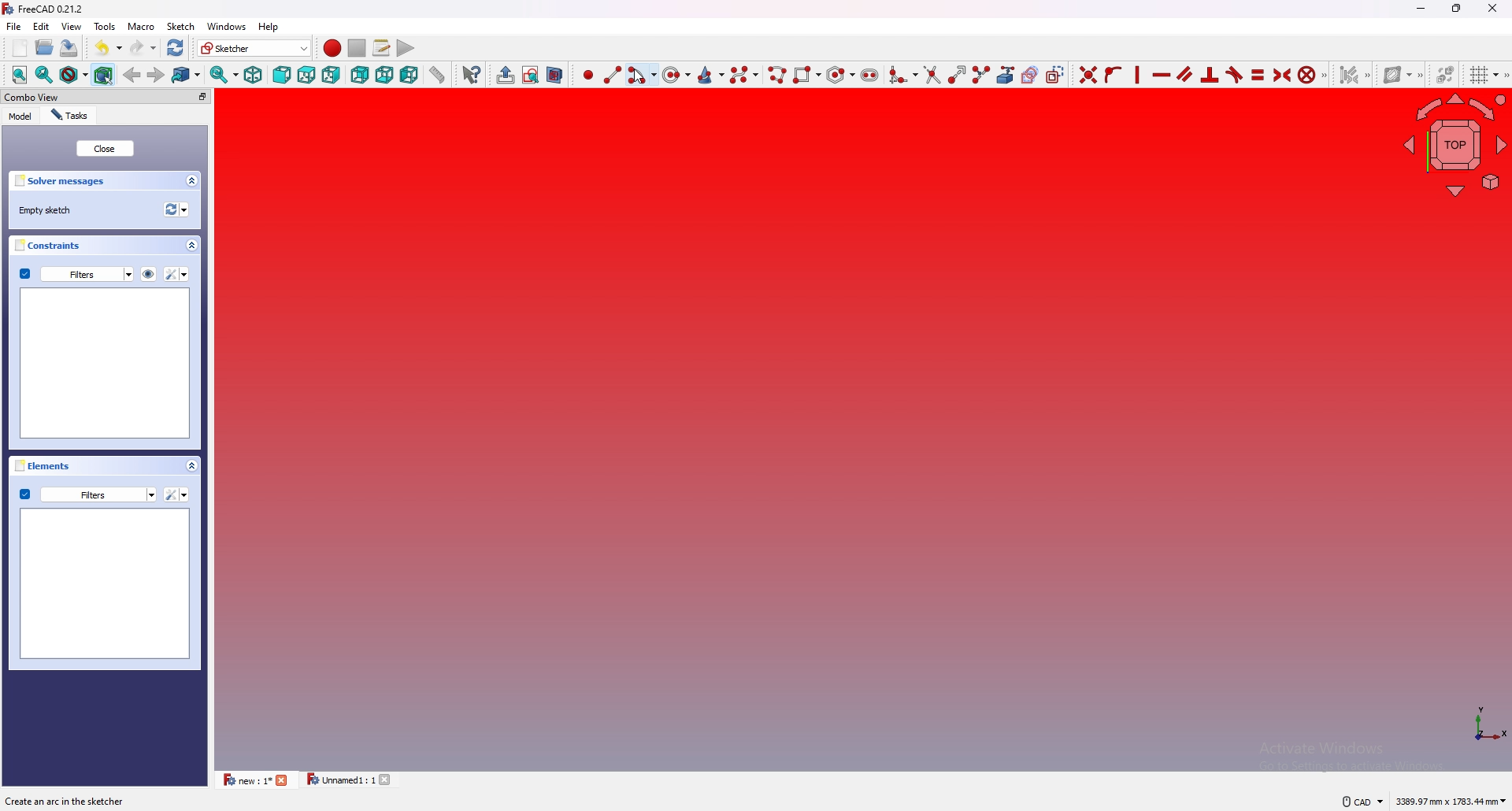 The width and height of the screenshot is (1512, 811). I want to click on constrain perpendicular, so click(1210, 76).